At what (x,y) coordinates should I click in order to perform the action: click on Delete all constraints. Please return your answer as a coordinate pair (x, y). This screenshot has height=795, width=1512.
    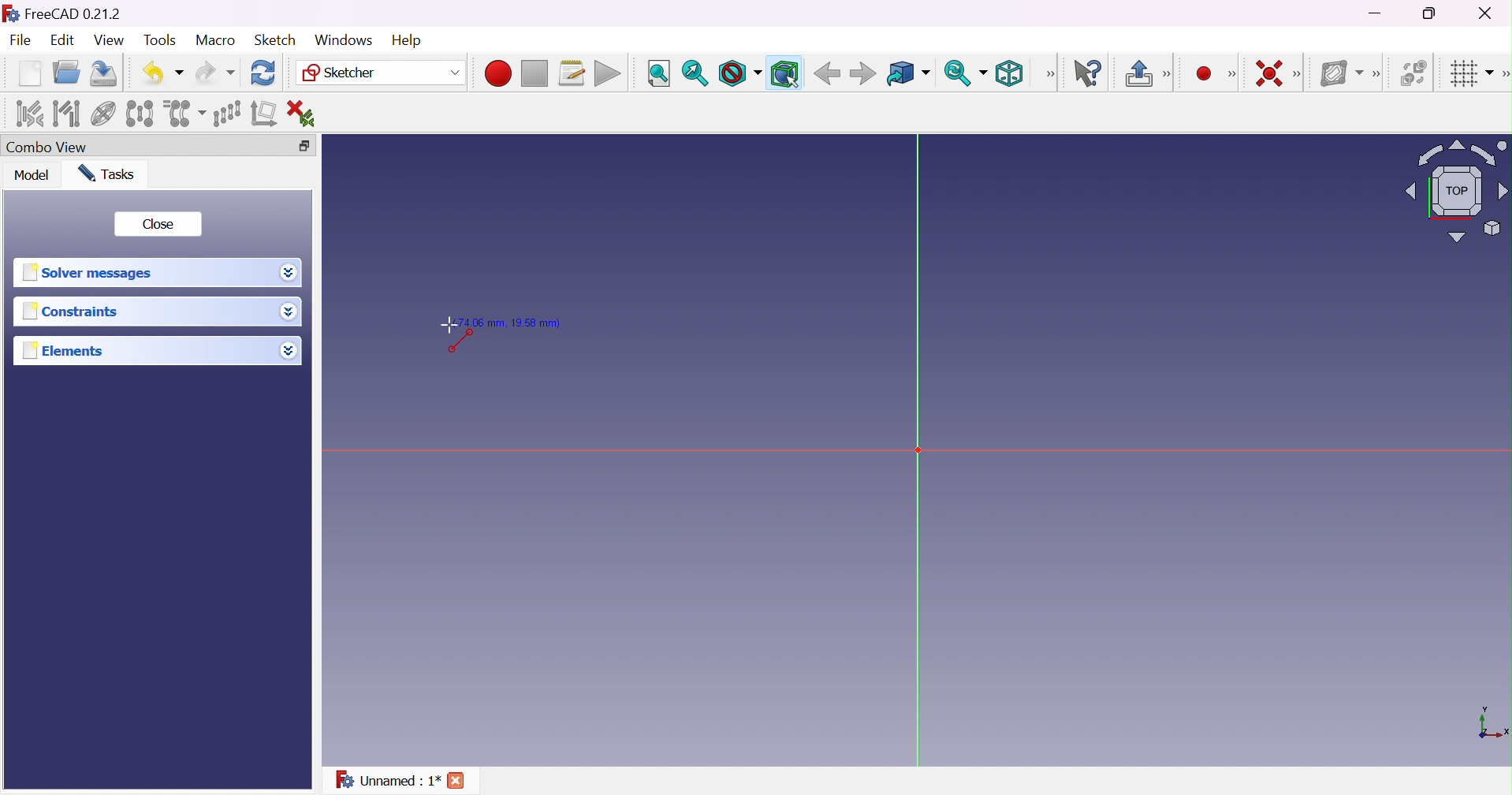
    Looking at the image, I should click on (306, 113).